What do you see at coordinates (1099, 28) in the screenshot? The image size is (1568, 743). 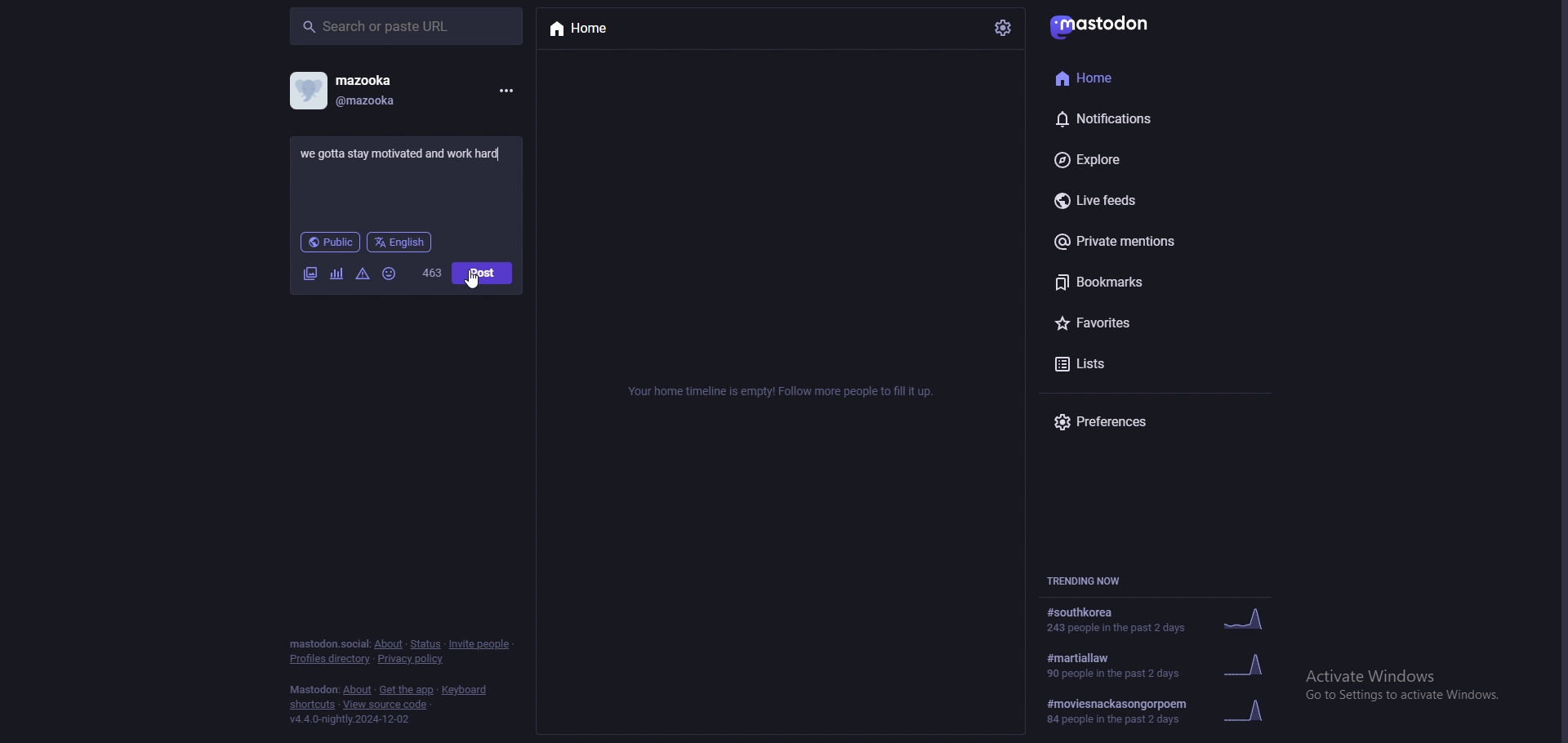 I see `mastodon` at bounding box center [1099, 28].